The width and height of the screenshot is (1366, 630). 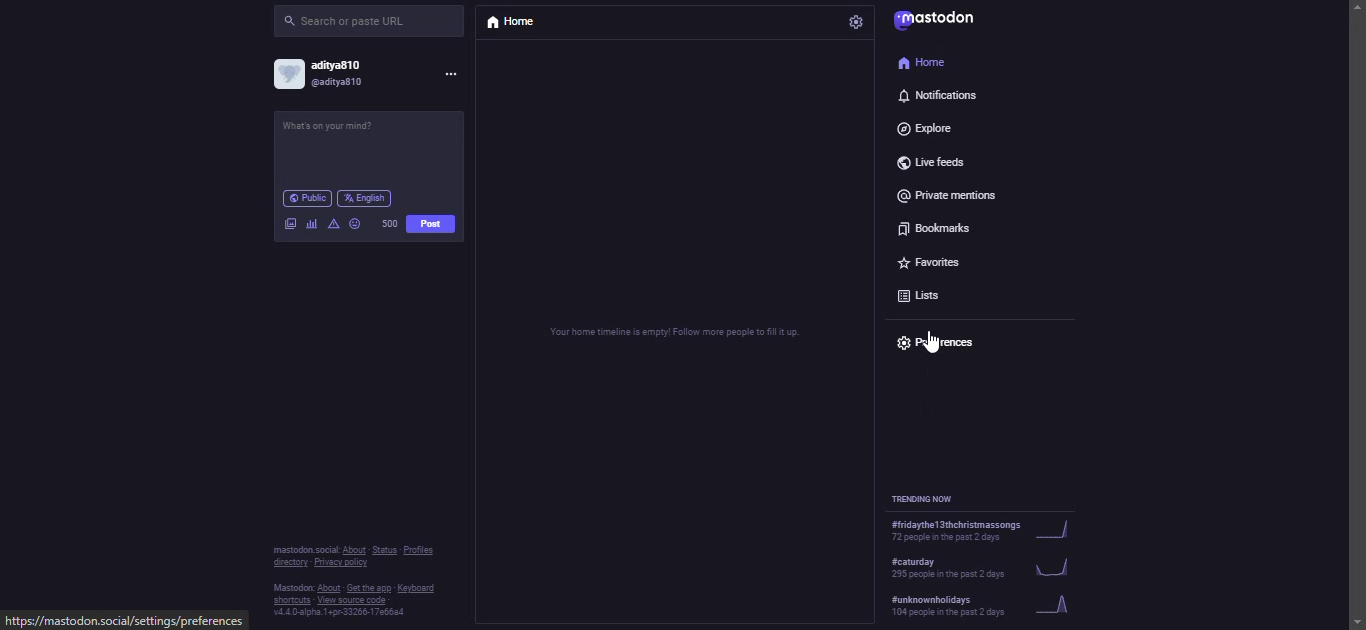 I want to click on bookmarks, so click(x=934, y=232).